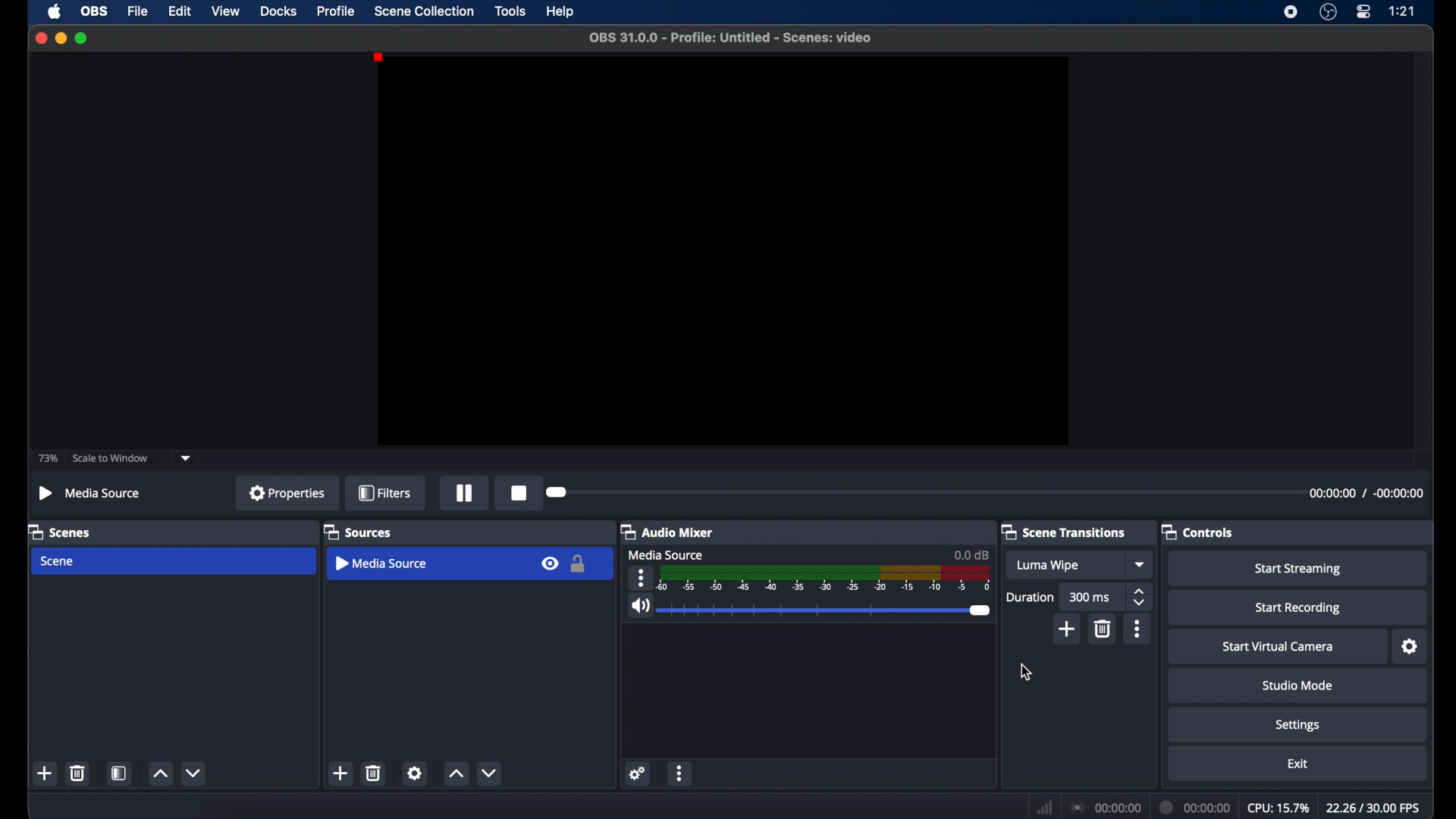  What do you see at coordinates (1068, 629) in the screenshot?
I see `add` at bounding box center [1068, 629].